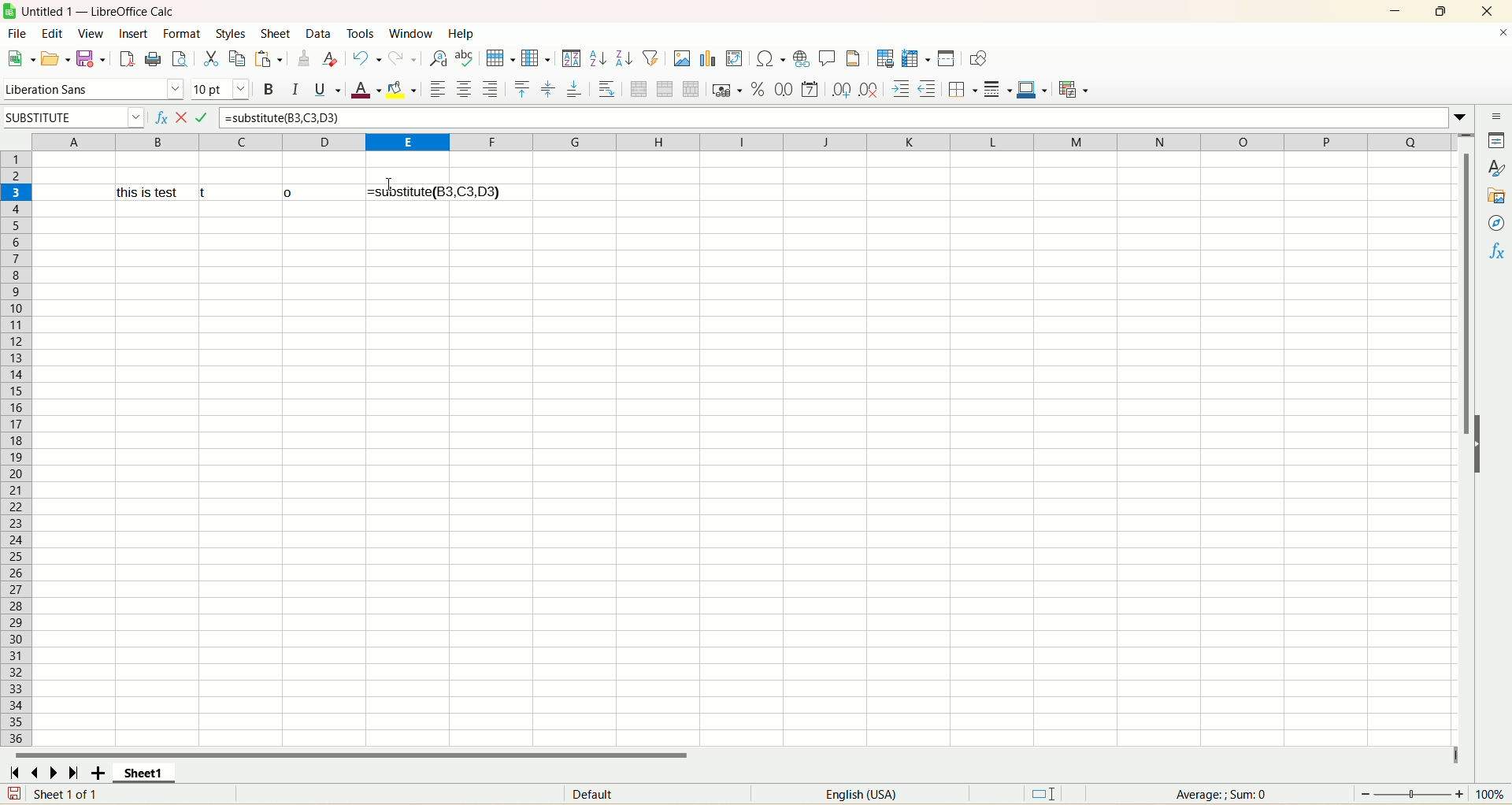 Image resolution: width=1512 pixels, height=805 pixels. What do you see at coordinates (712, 59) in the screenshot?
I see `insert chart` at bounding box center [712, 59].